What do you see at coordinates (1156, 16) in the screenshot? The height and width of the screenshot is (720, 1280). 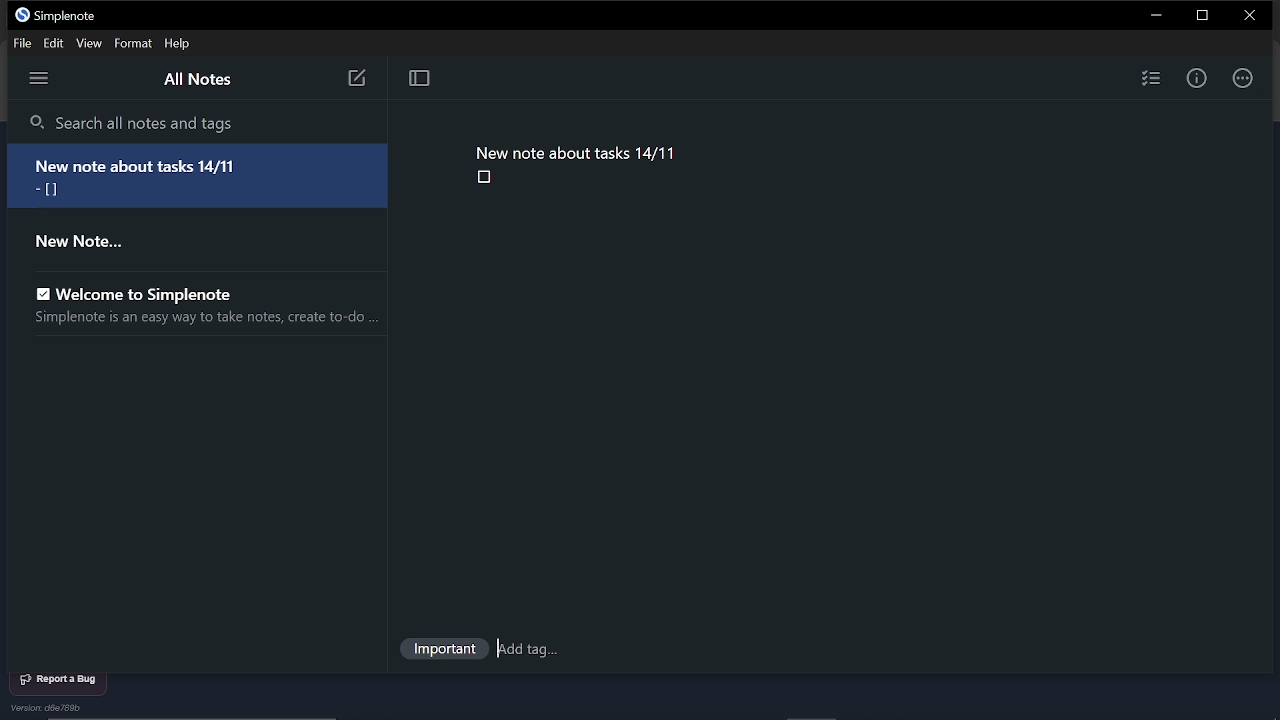 I see `Minimize` at bounding box center [1156, 16].